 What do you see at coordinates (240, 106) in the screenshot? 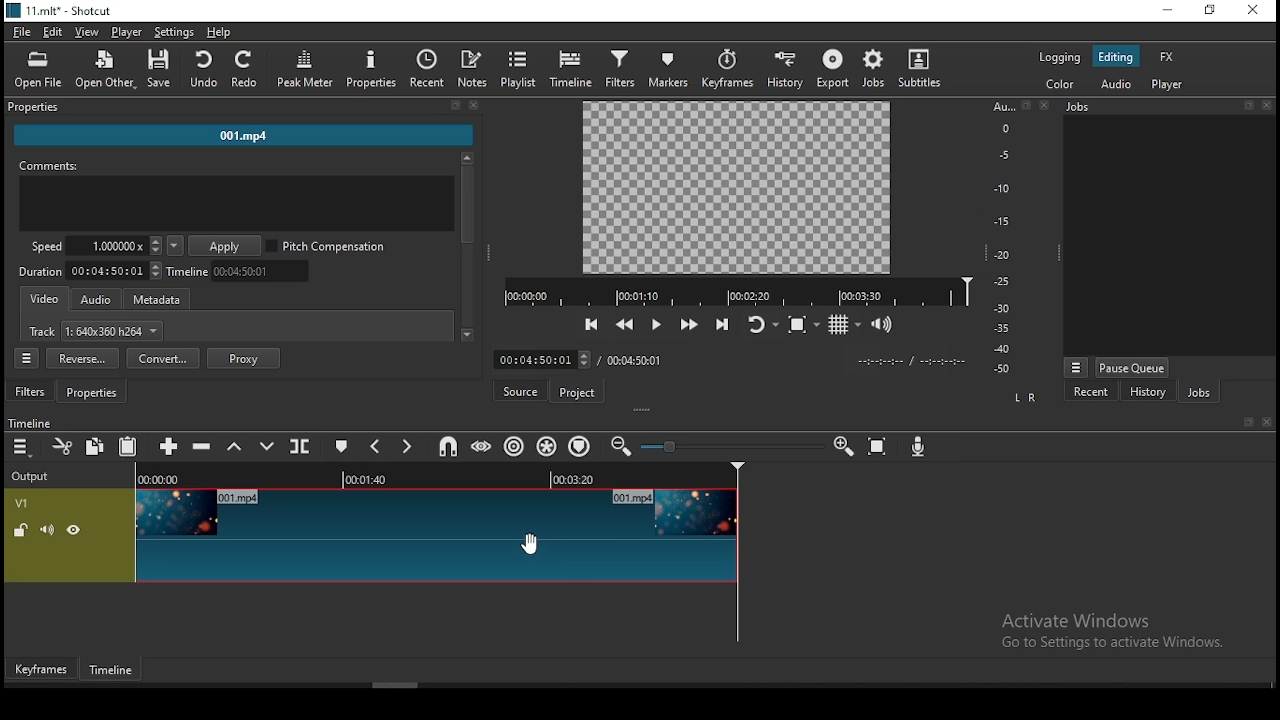
I see `properties` at bounding box center [240, 106].